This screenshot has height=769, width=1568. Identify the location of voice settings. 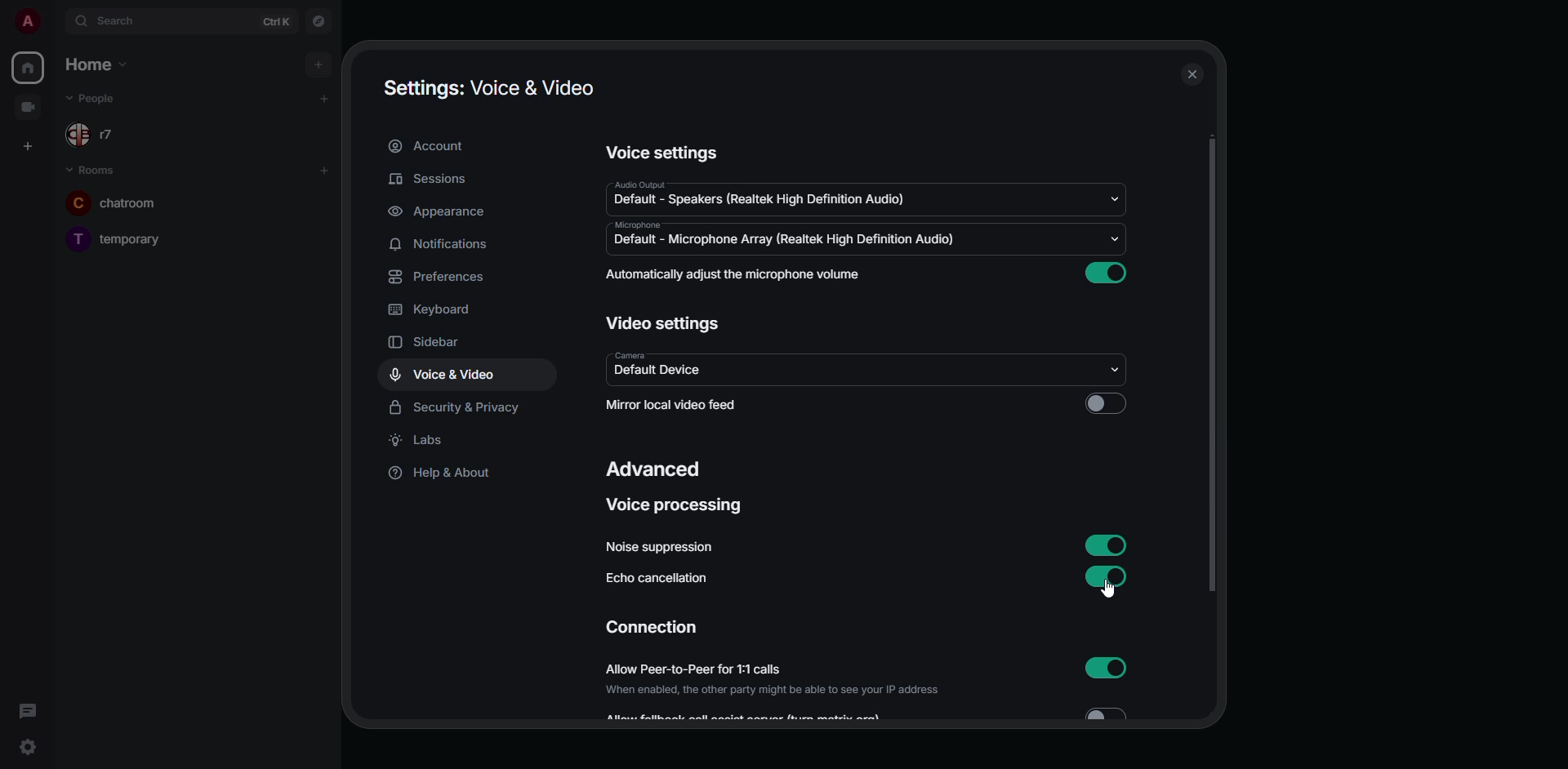
(661, 152).